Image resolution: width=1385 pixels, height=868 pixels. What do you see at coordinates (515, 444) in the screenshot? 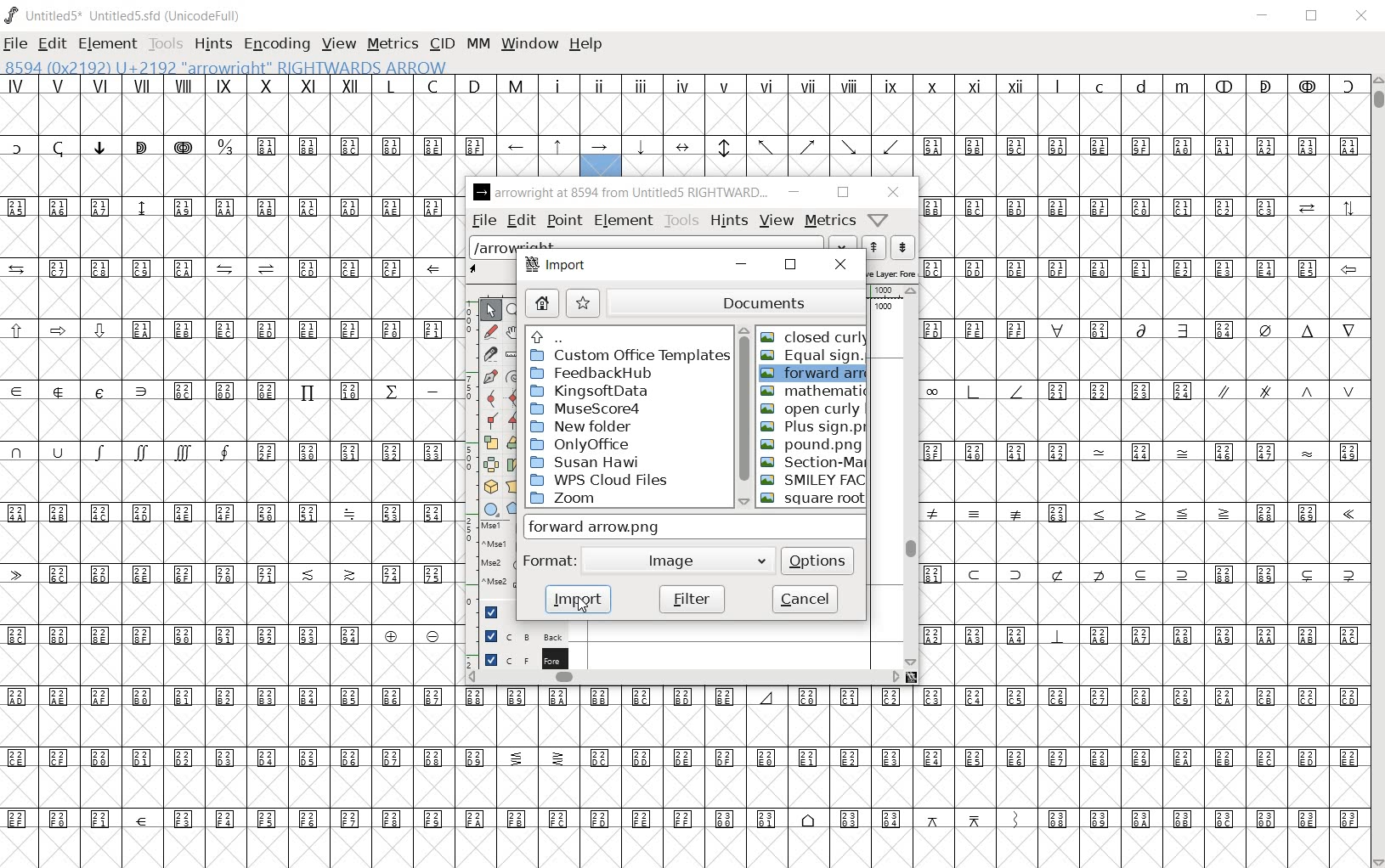
I see `rotate the selection` at bounding box center [515, 444].